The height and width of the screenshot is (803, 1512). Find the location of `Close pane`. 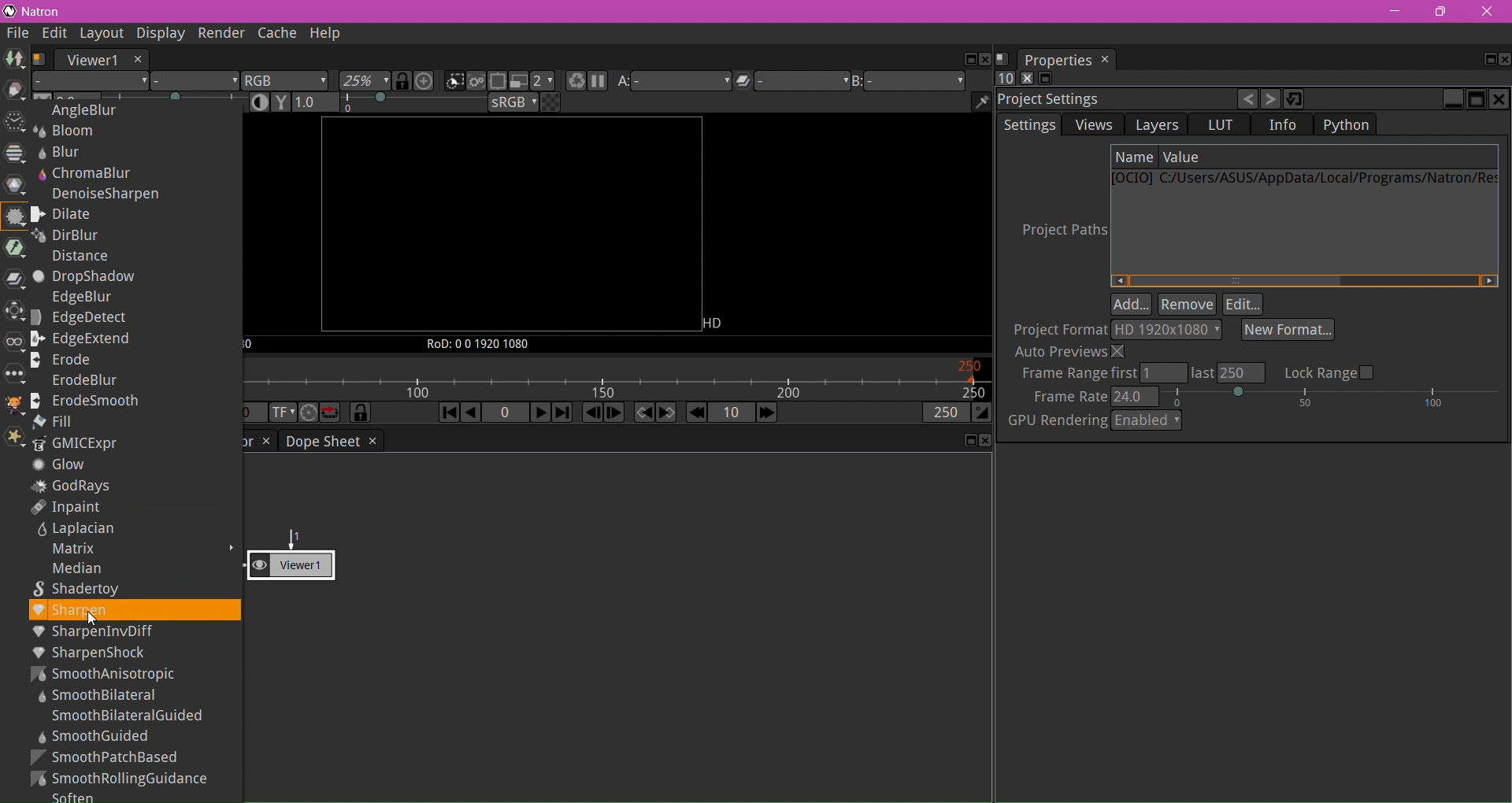

Close pane is located at coordinates (1499, 100).